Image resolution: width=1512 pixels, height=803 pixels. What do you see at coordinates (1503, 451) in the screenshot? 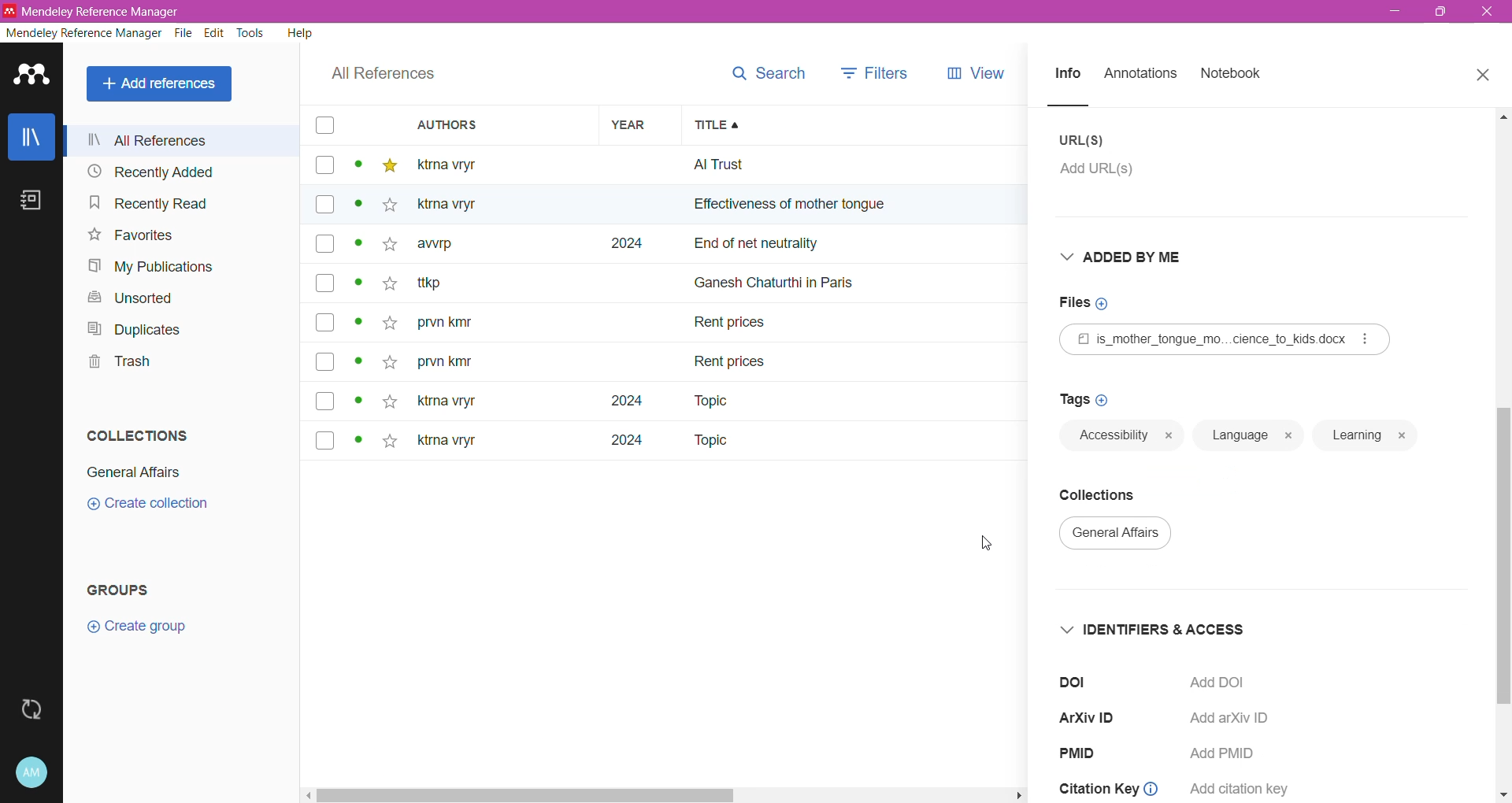
I see `Vertical Scroll Bar dragged to final position` at bounding box center [1503, 451].